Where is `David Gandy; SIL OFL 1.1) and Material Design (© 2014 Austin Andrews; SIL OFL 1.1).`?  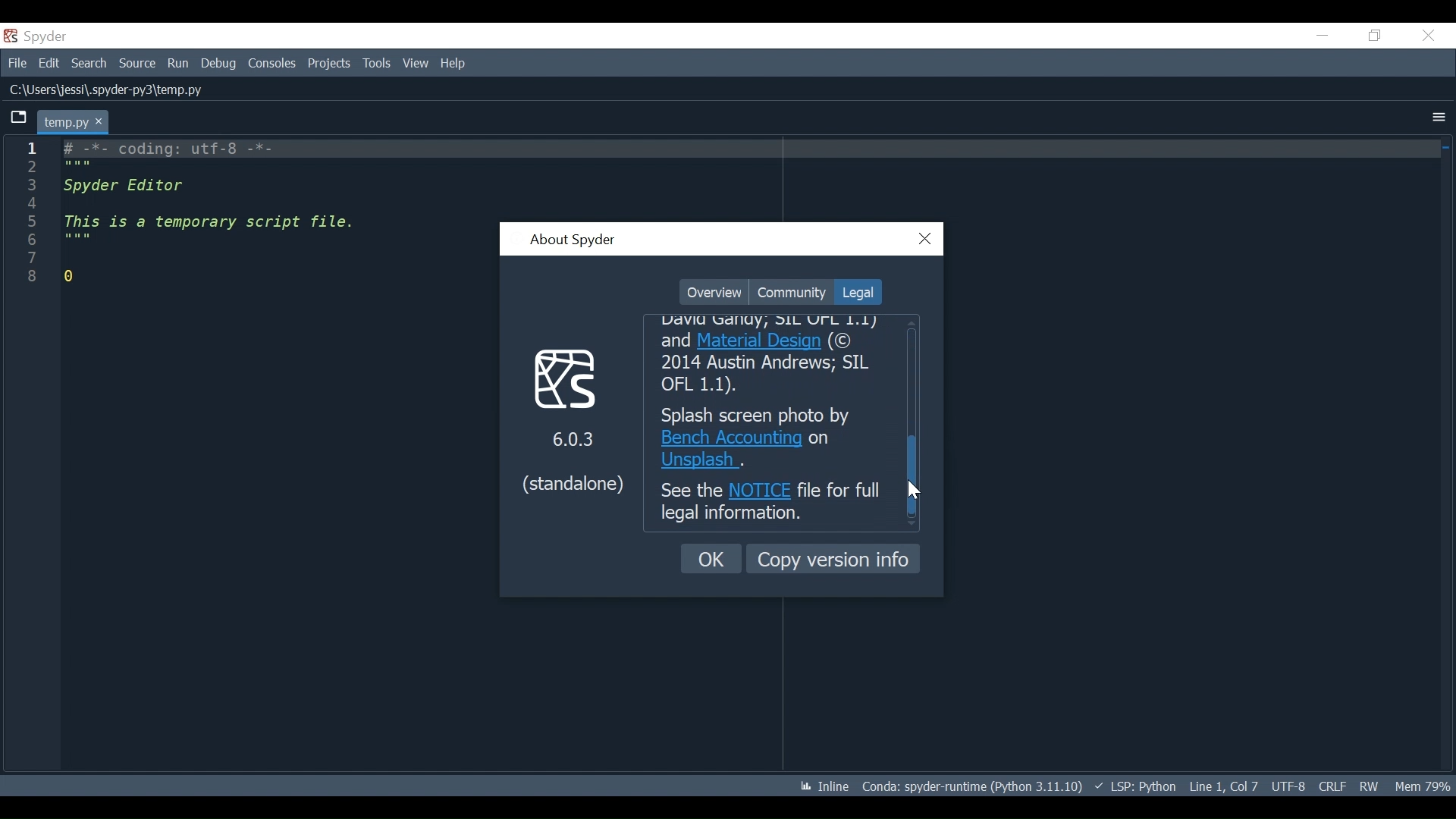 David Gandy; SIL OFL 1.1) and Material Design (© 2014 Austin Andrews; SIL OFL 1.1). is located at coordinates (775, 356).